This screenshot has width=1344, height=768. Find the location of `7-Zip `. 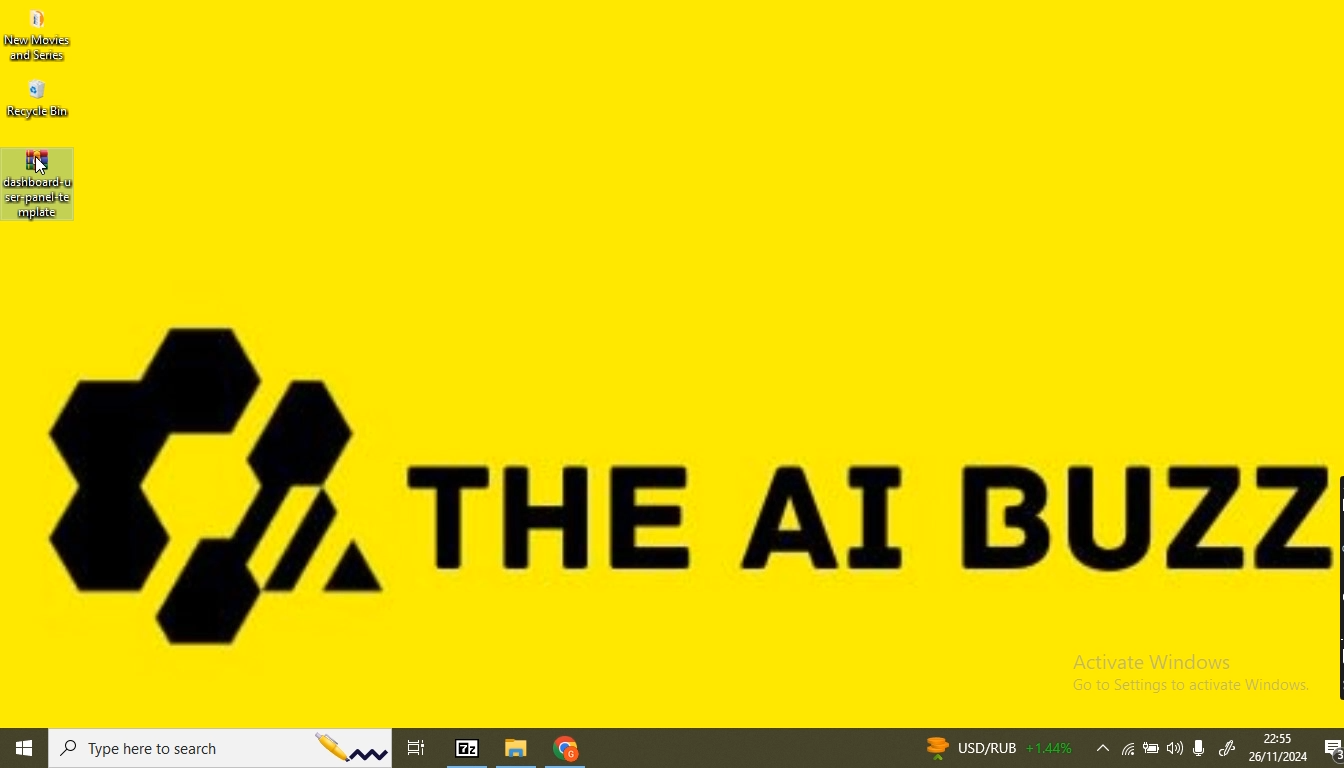

7-Zip  is located at coordinates (469, 747).